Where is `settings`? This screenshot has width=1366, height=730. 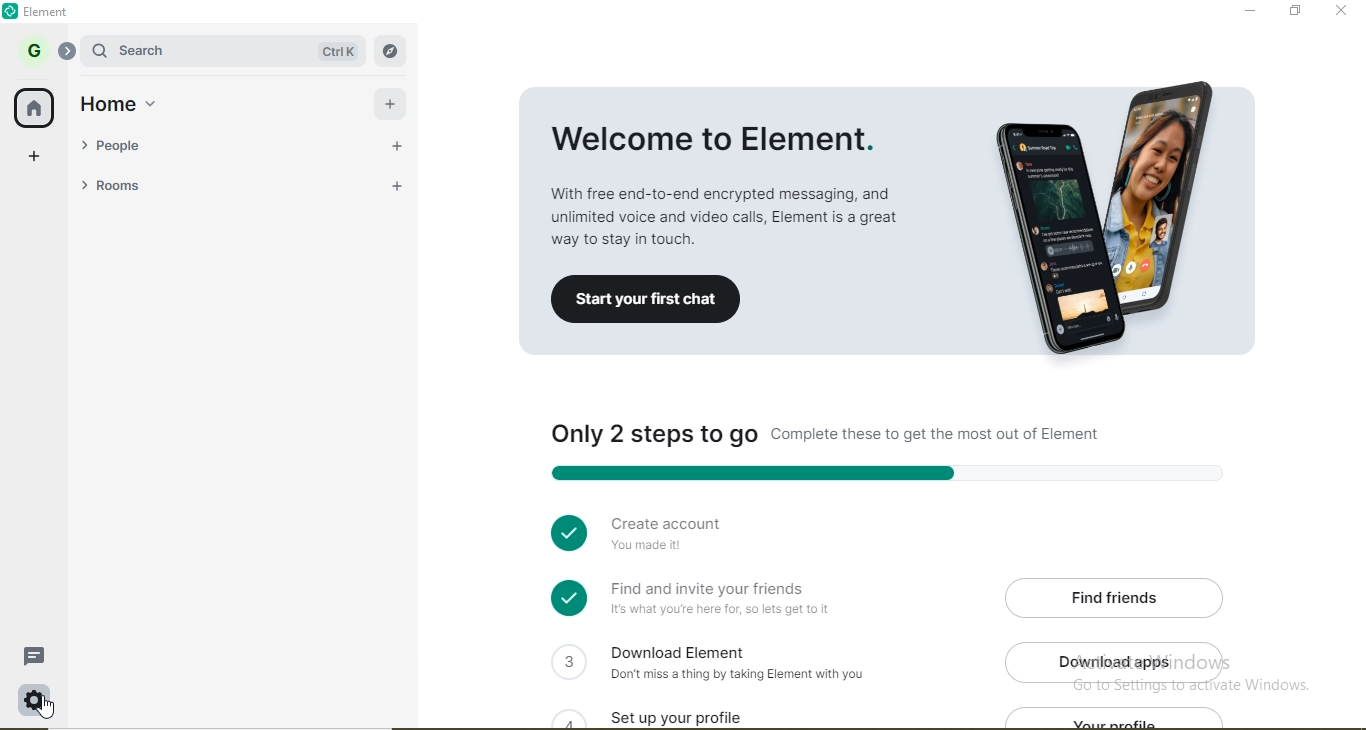 settings is located at coordinates (36, 697).